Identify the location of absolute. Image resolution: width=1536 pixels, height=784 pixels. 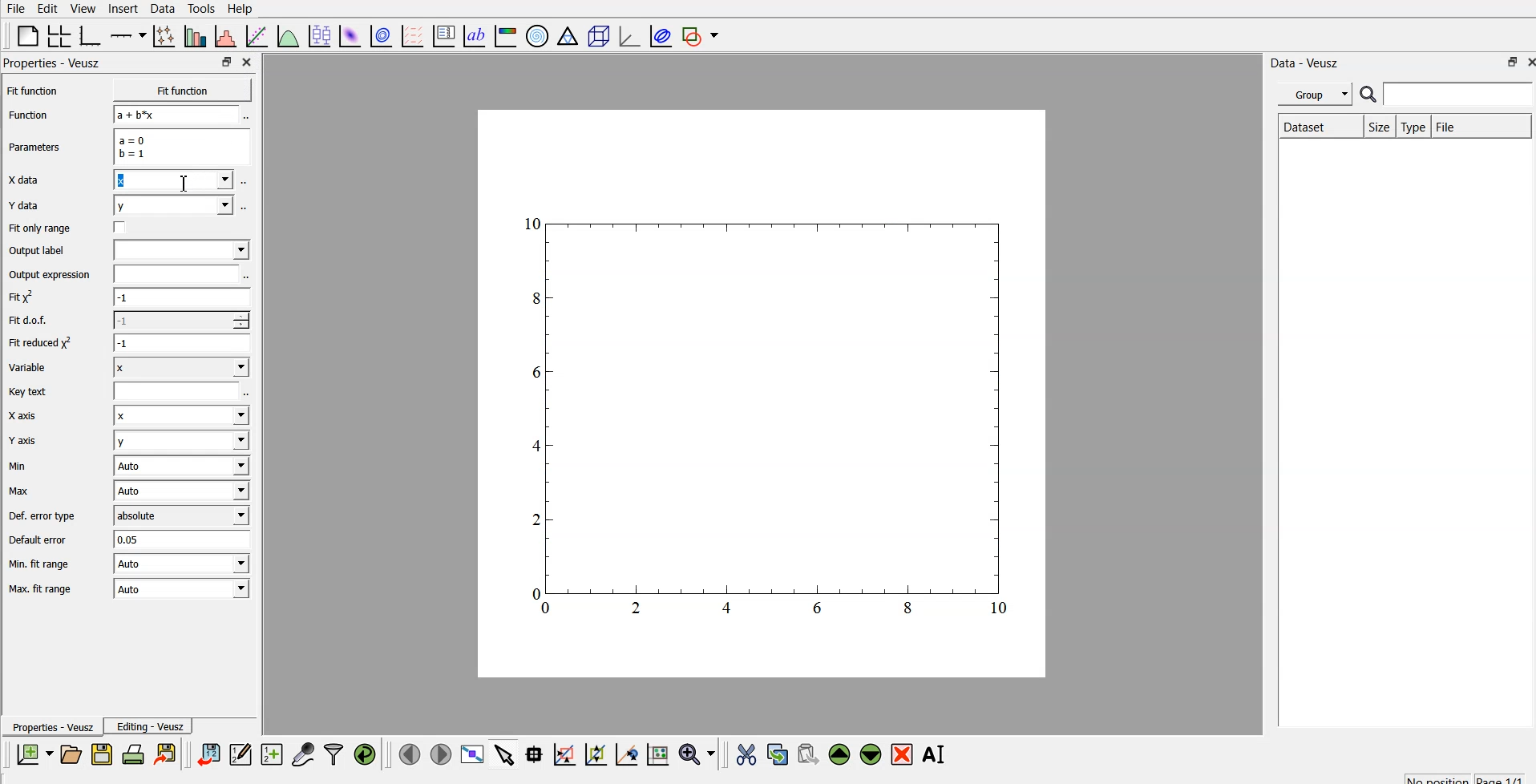
(182, 517).